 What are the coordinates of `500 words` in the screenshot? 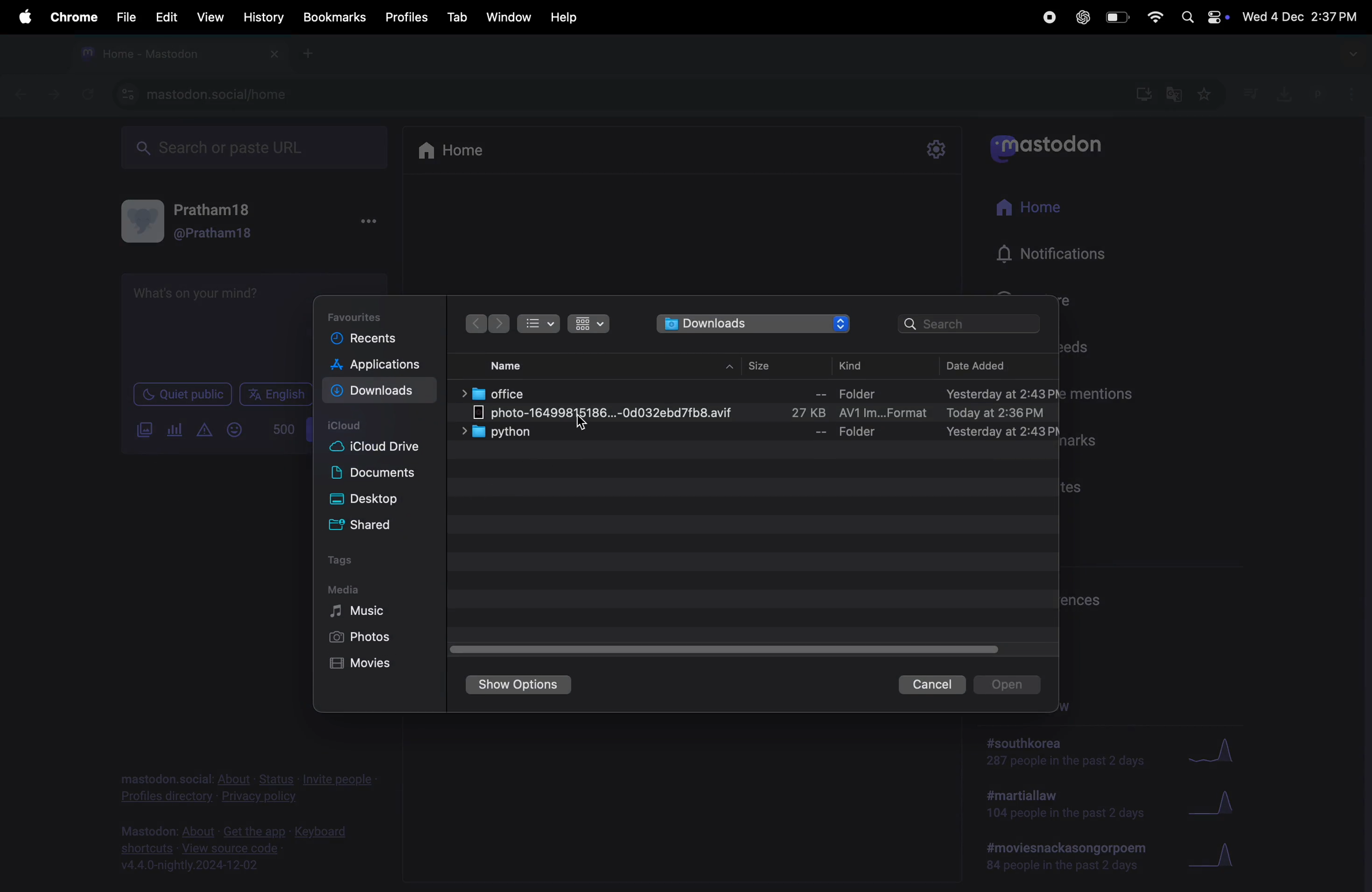 It's located at (281, 429).